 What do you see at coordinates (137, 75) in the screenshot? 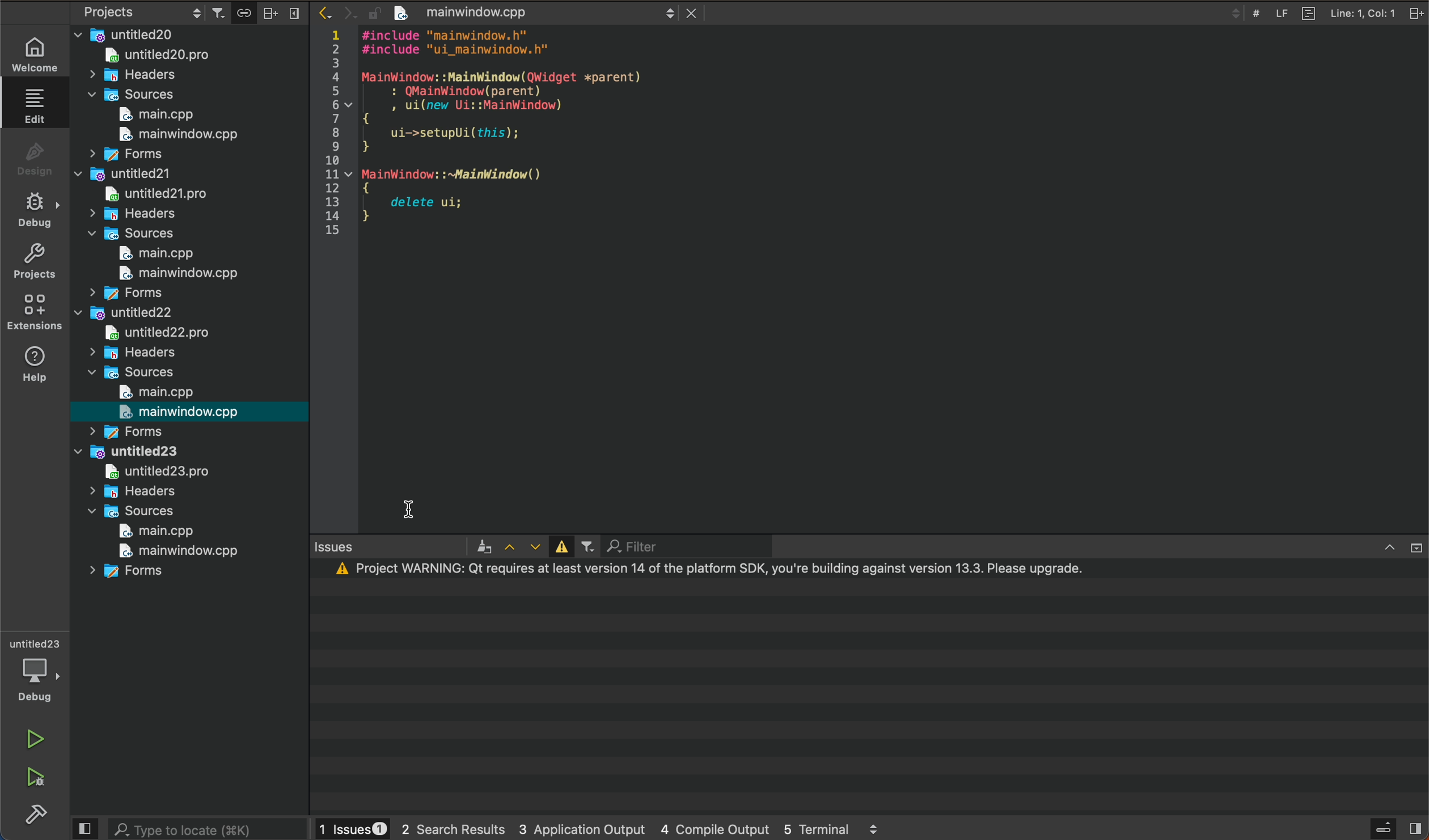
I see `headers` at bounding box center [137, 75].